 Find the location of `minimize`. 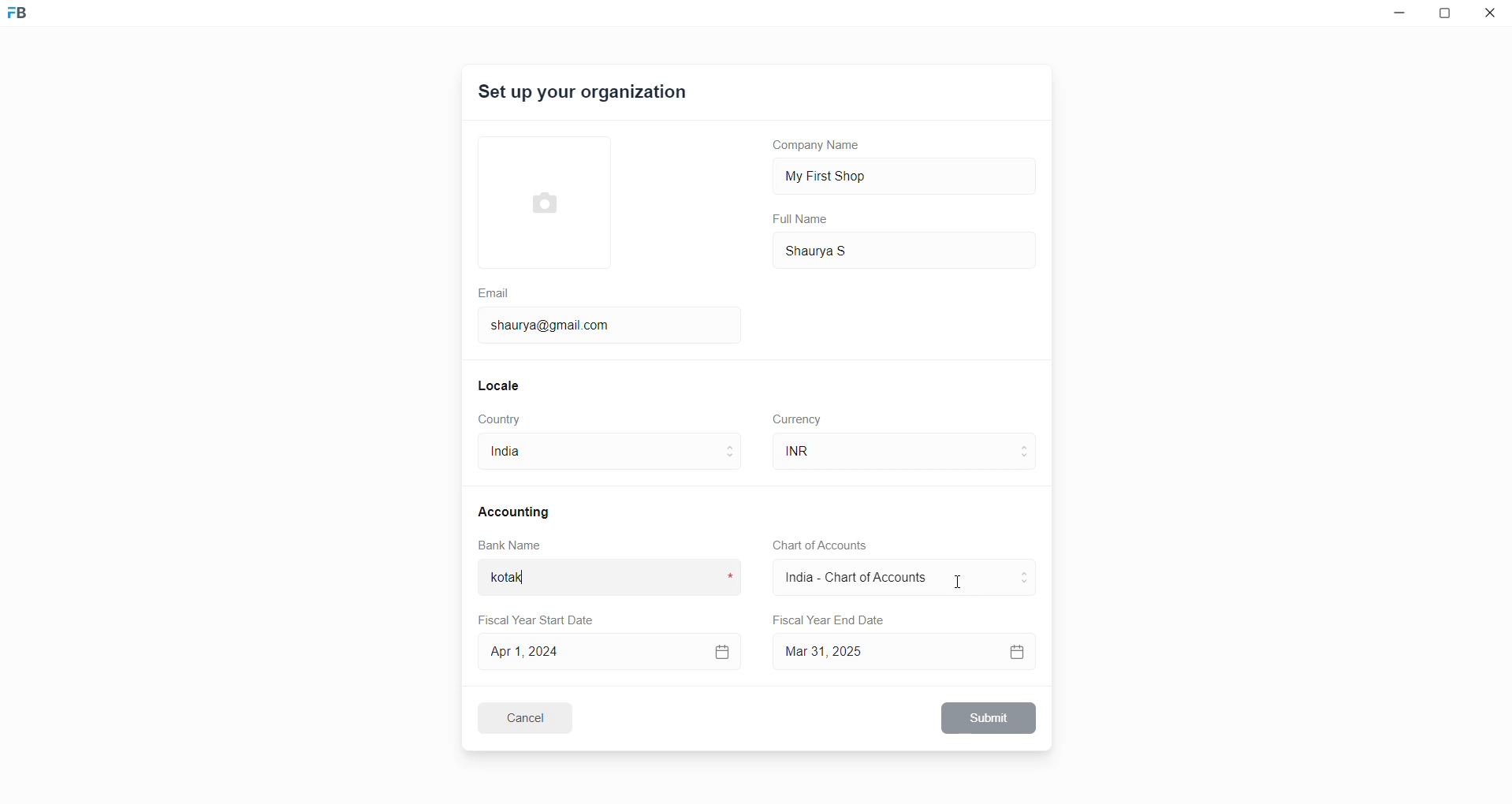

minimize is located at coordinates (1396, 17).